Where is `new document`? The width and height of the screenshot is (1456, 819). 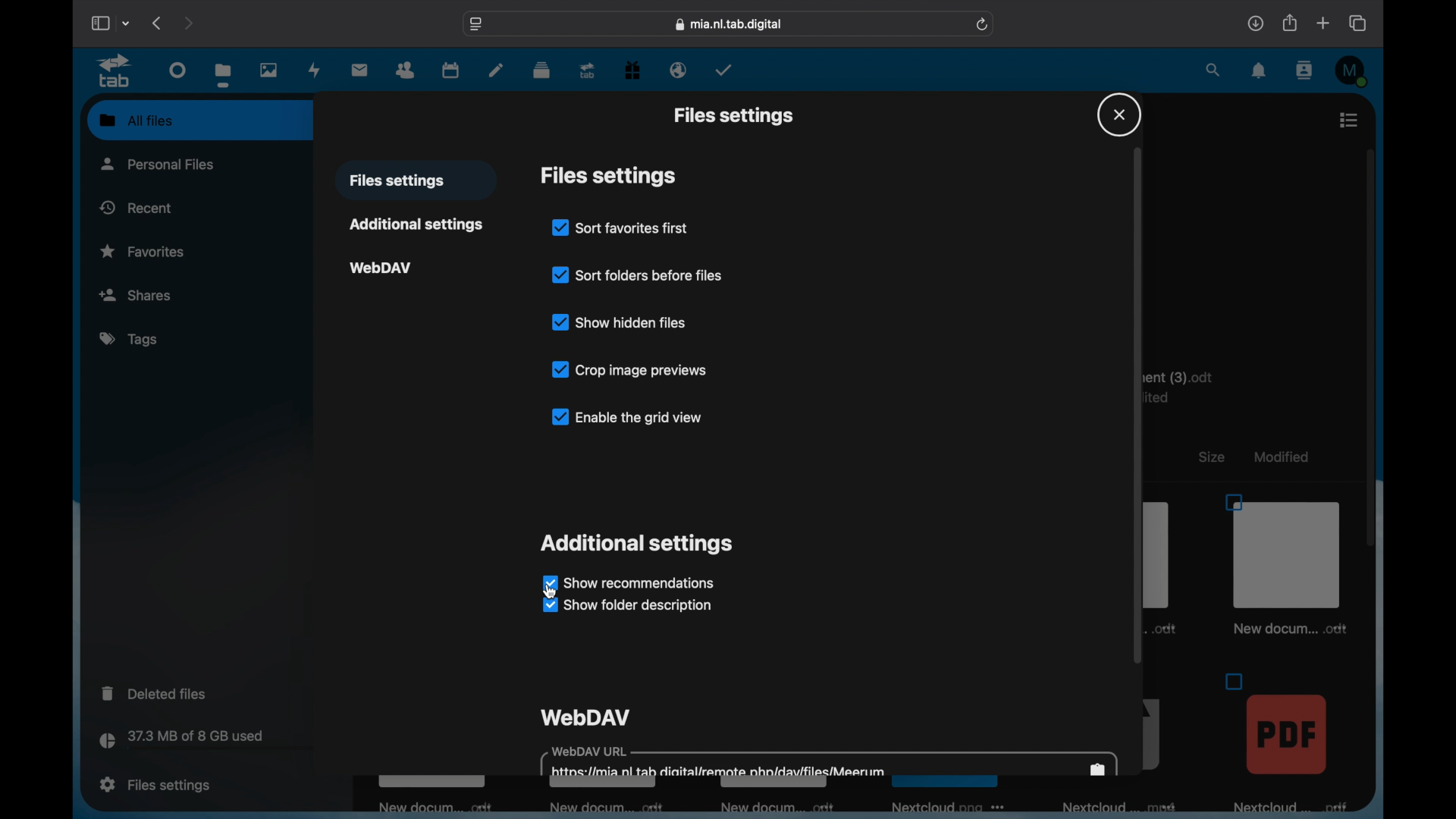
new document is located at coordinates (777, 807).